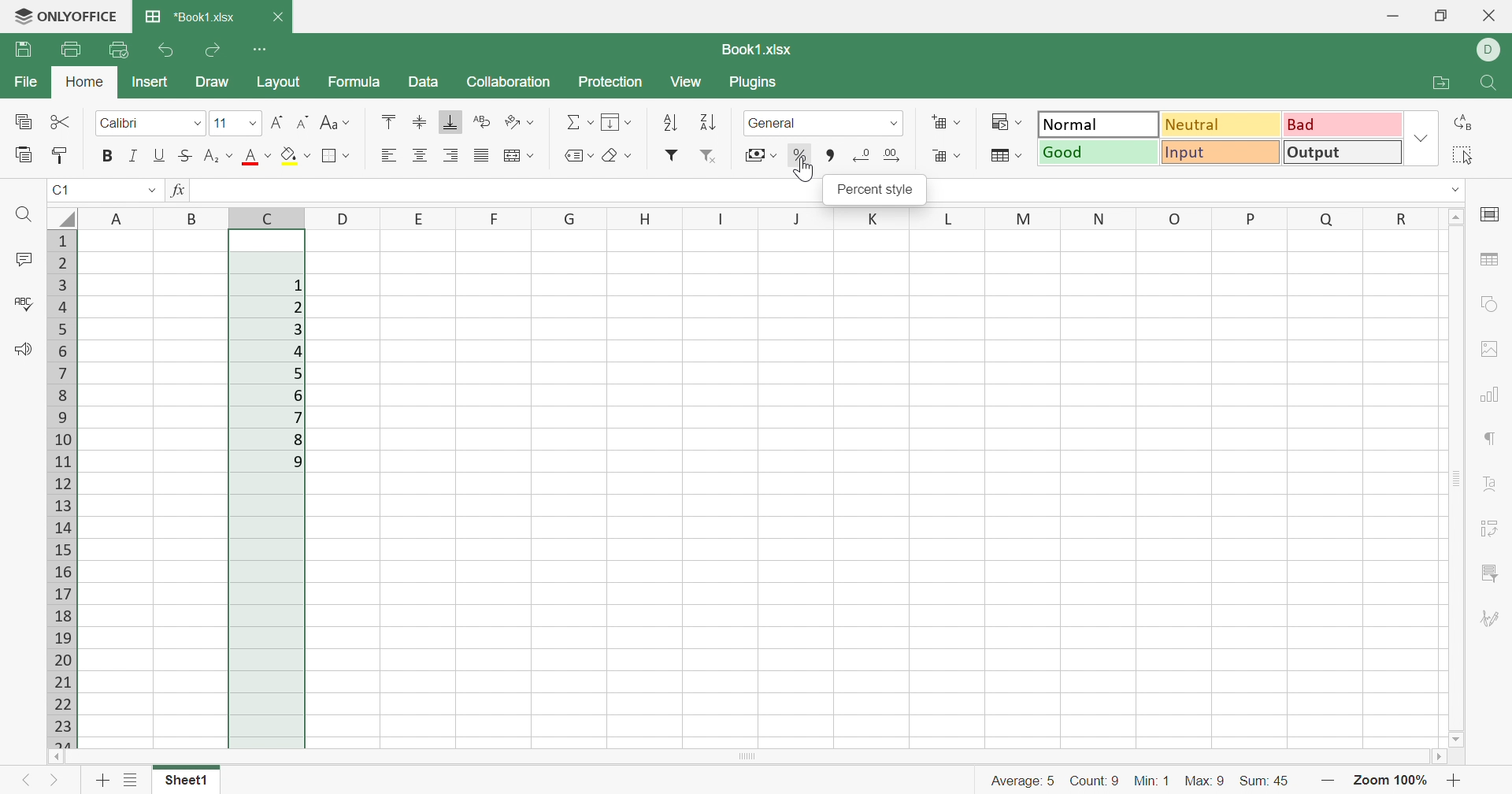  What do you see at coordinates (774, 123) in the screenshot?
I see `General` at bounding box center [774, 123].